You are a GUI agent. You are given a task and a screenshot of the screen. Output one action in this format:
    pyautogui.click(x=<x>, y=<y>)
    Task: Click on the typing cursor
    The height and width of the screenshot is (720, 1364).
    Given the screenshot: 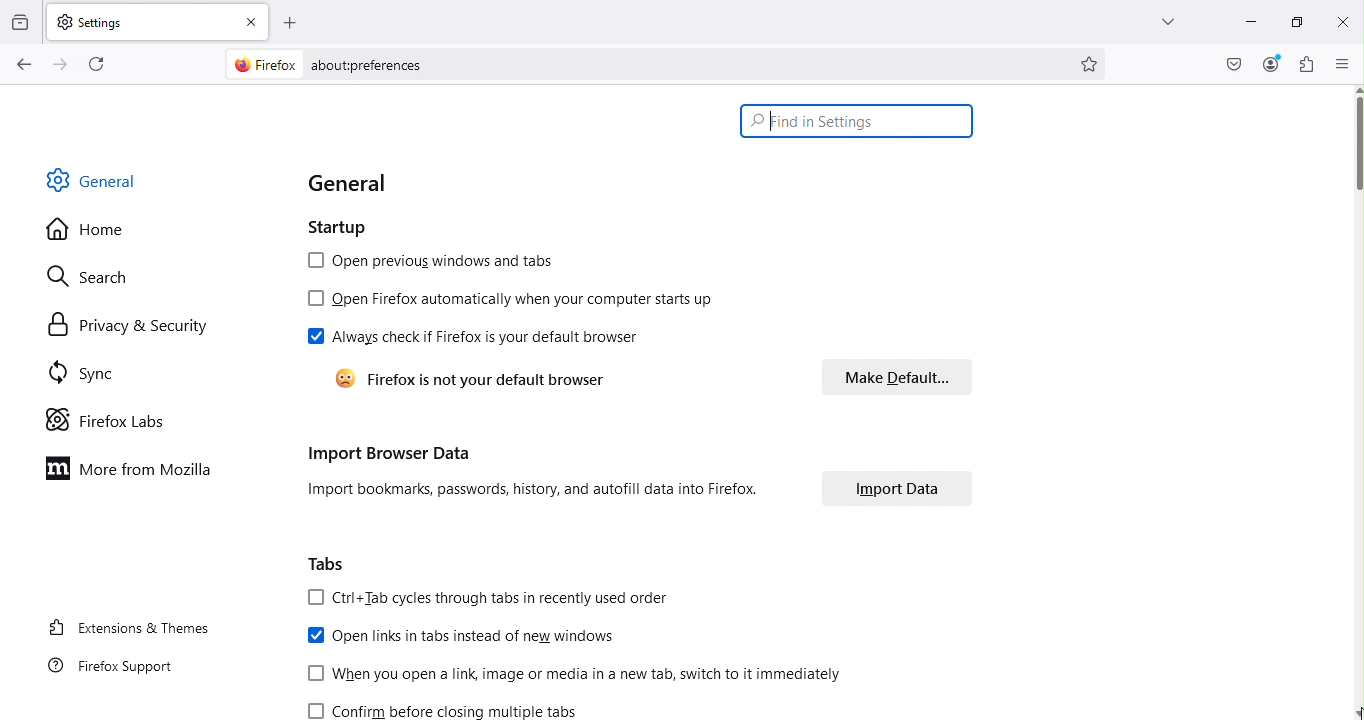 What is the action you would take?
    pyautogui.click(x=770, y=130)
    